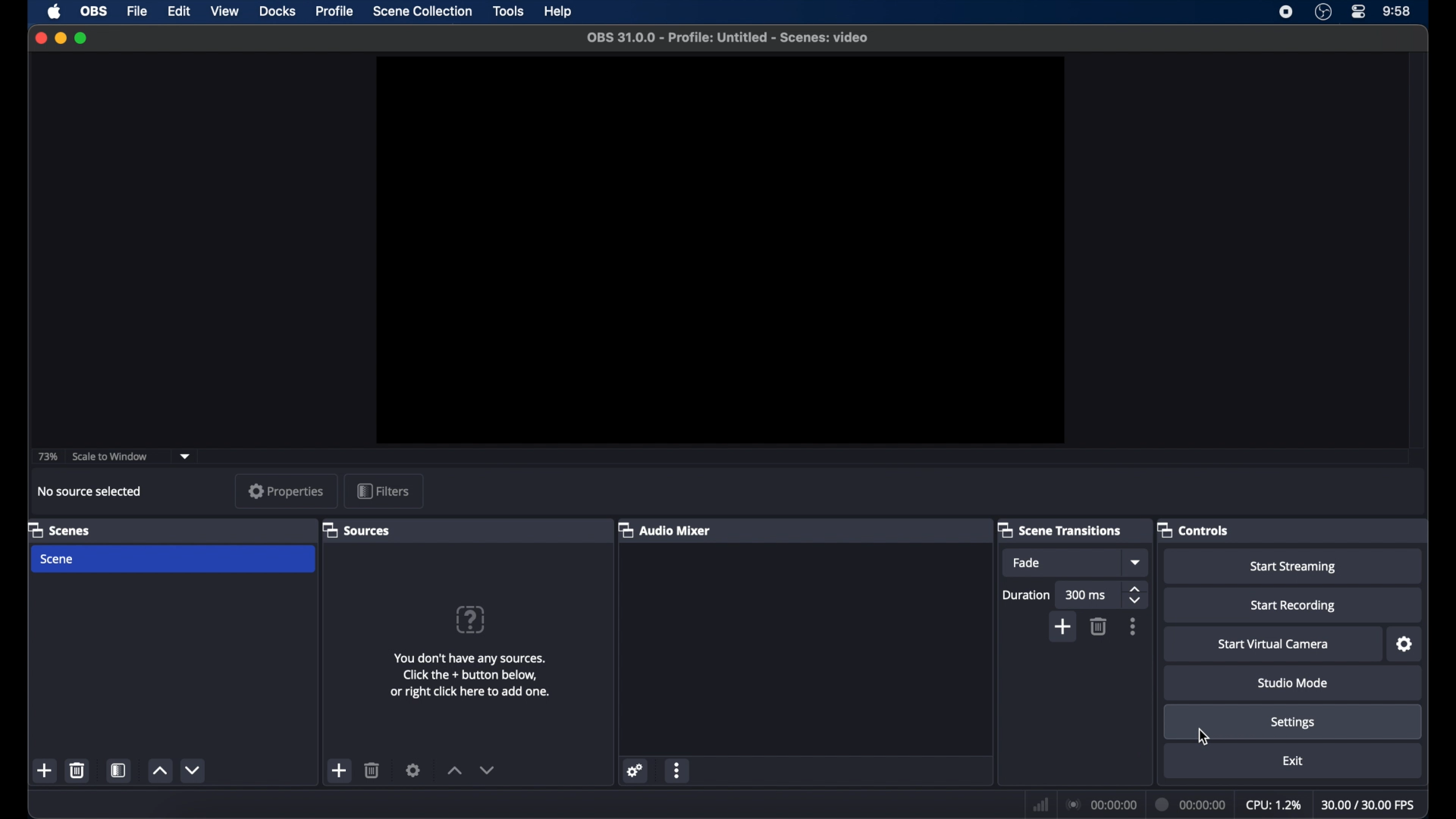  Describe the element at coordinates (372, 770) in the screenshot. I see `delete` at that location.